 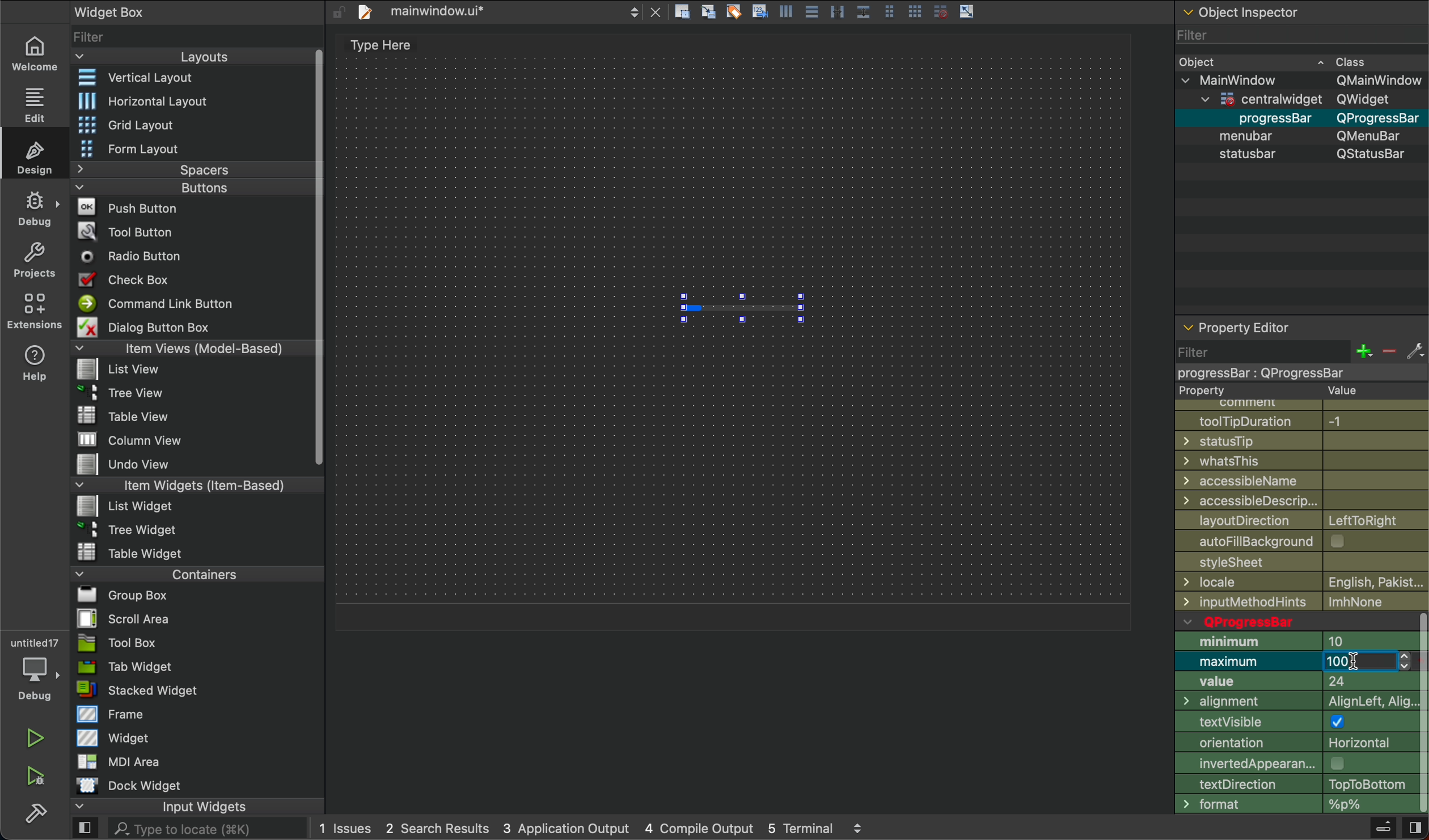 What do you see at coordinates (129, 415) in the screenshot?
I see `File` at bounding box center [129, 415].